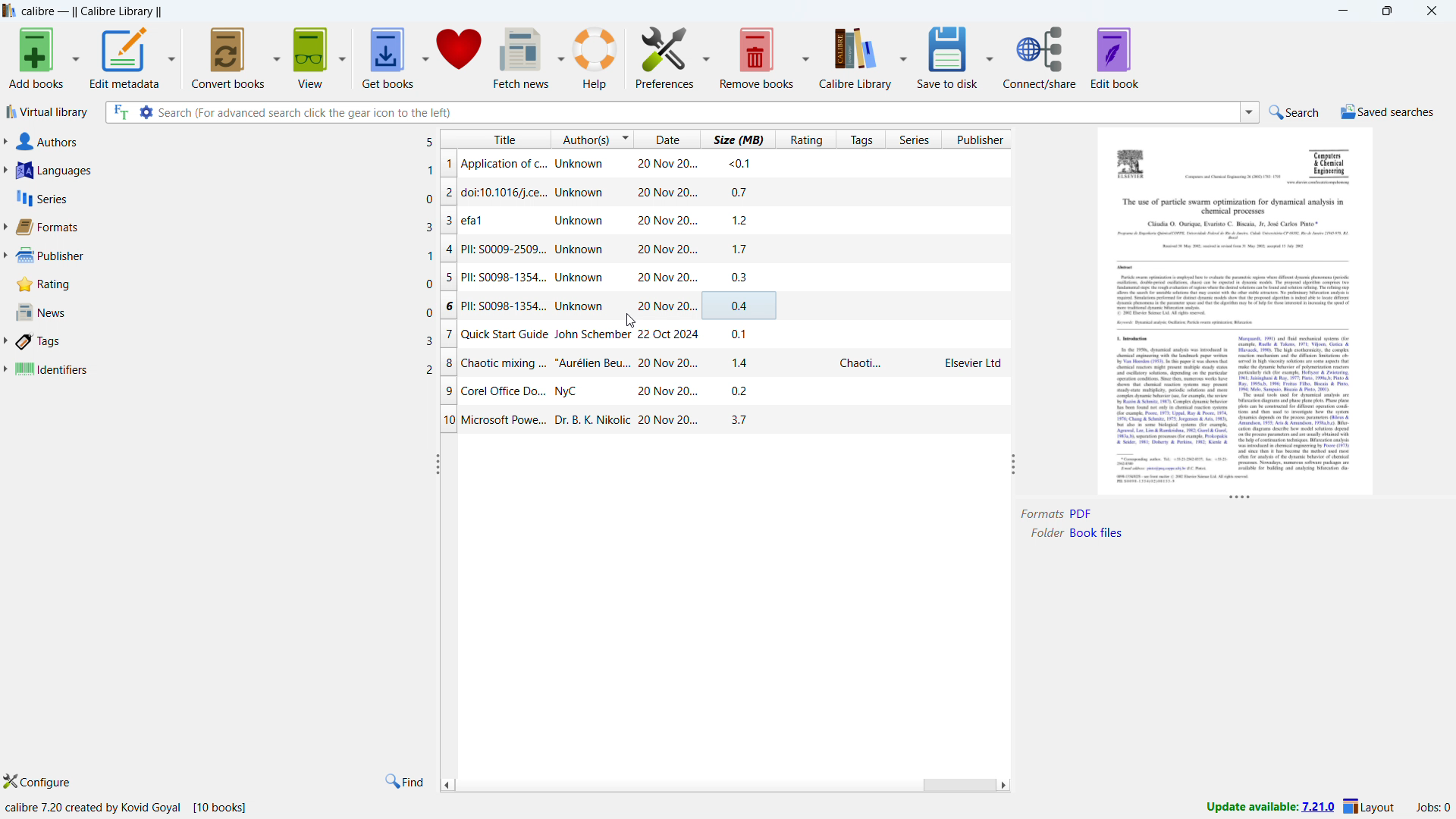  Describe the element at coordinates (757, 56) in the screenshot. I see `remove books` at that location.